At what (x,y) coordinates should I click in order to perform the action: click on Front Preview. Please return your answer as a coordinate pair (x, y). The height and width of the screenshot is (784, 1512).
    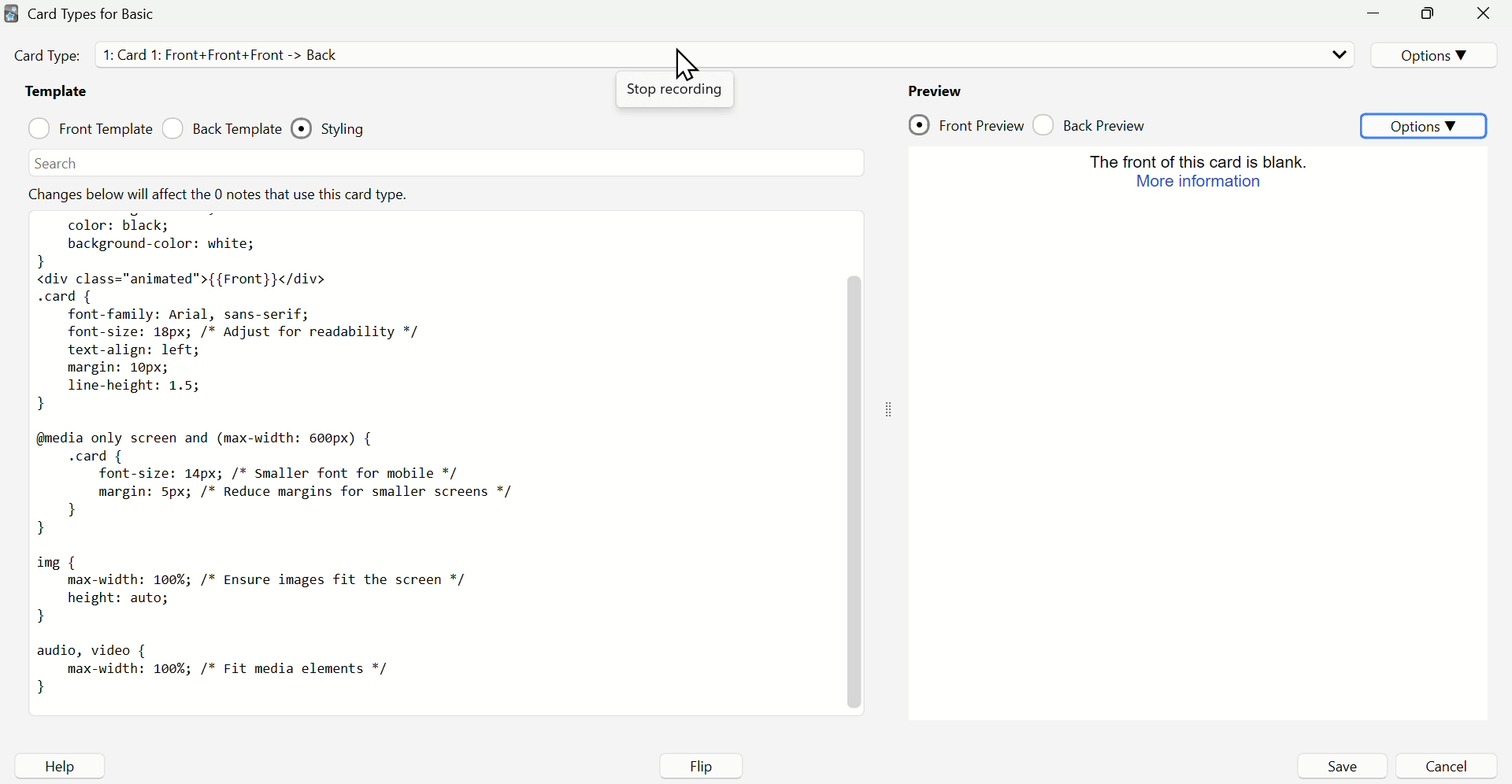
    Looking at the image, I should click on (966, 124).